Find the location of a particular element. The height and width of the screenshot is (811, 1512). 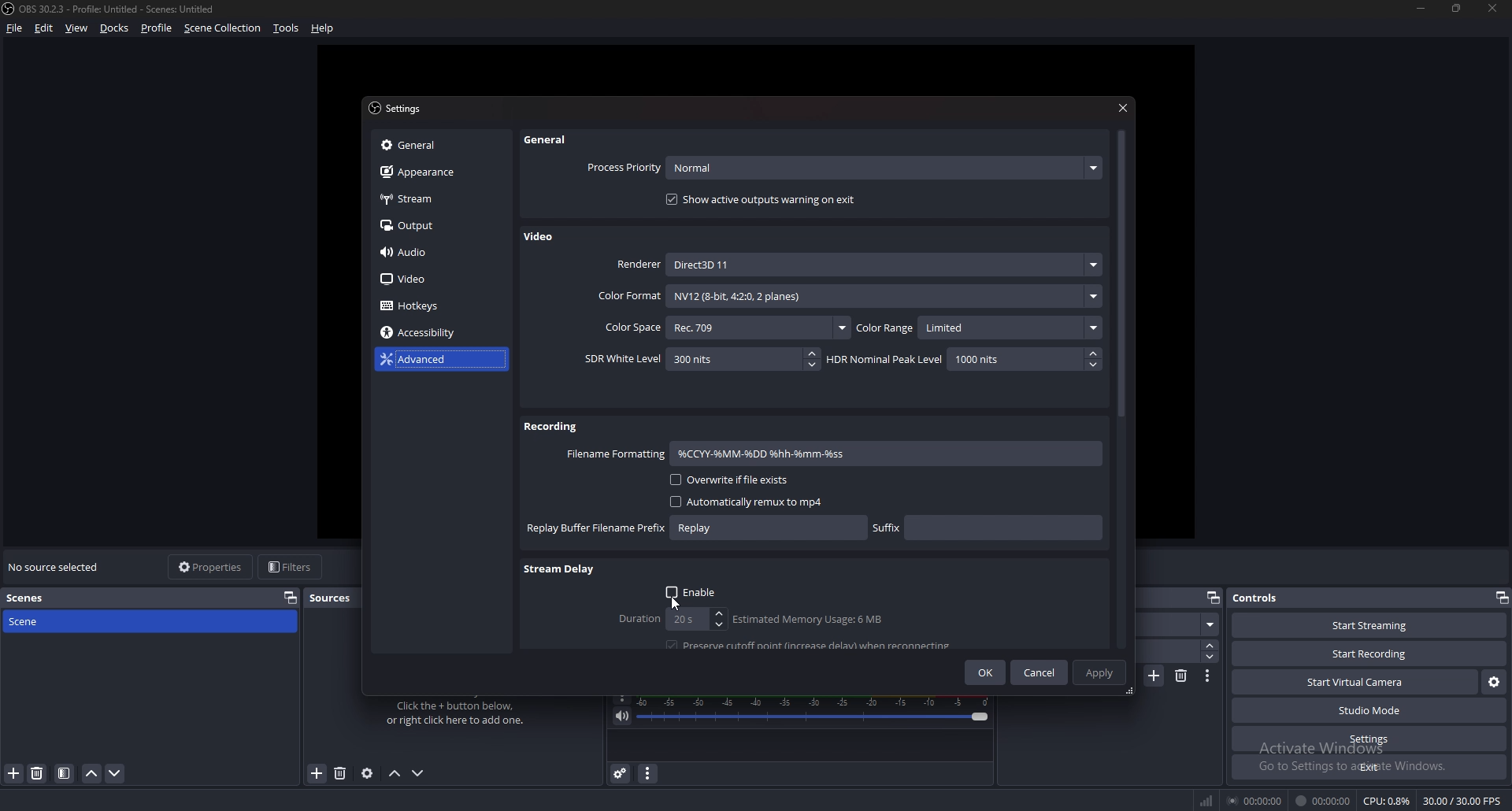

controls is located at coordinates (1263, 597).